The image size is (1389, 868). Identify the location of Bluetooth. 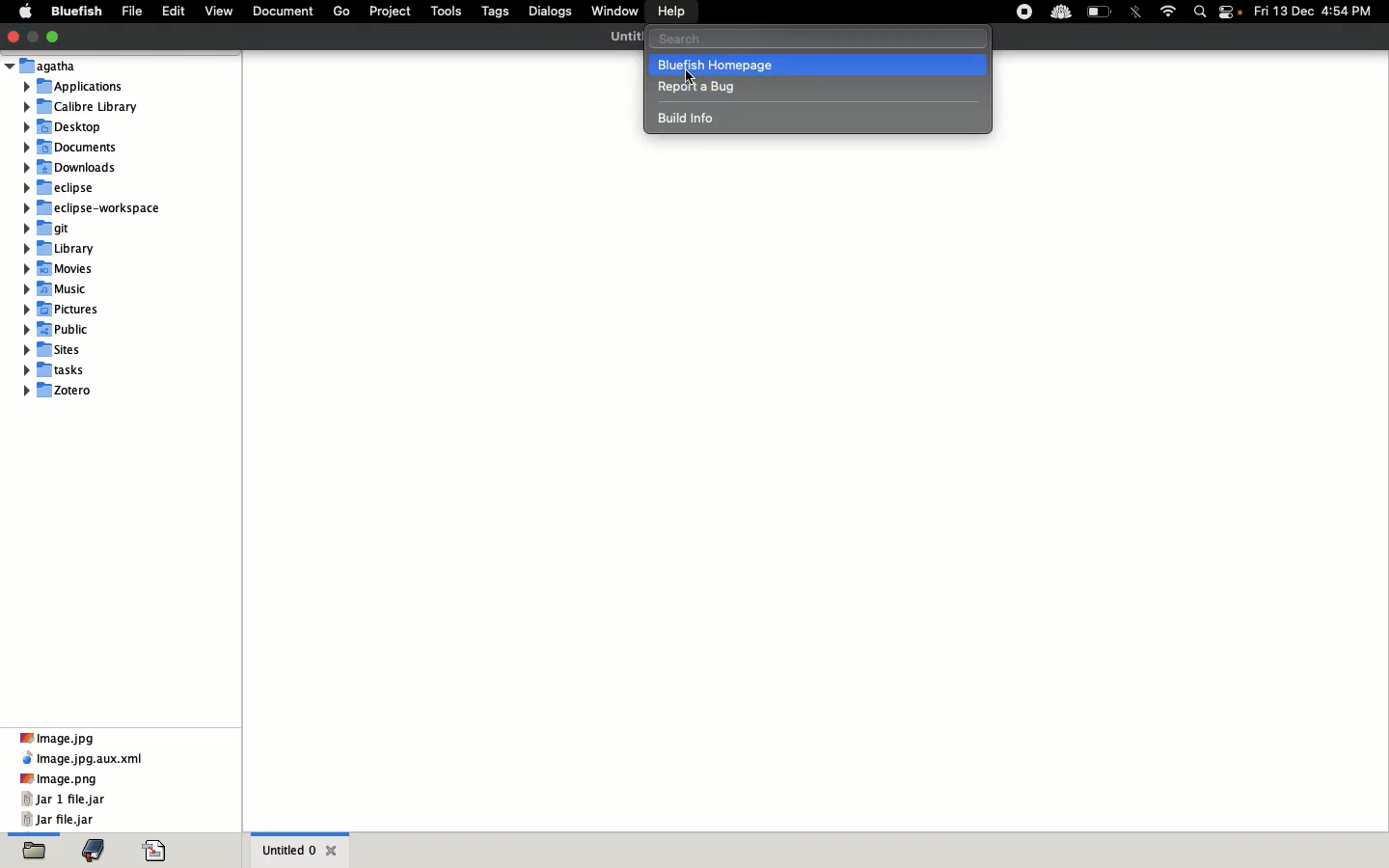
(1136, 14).